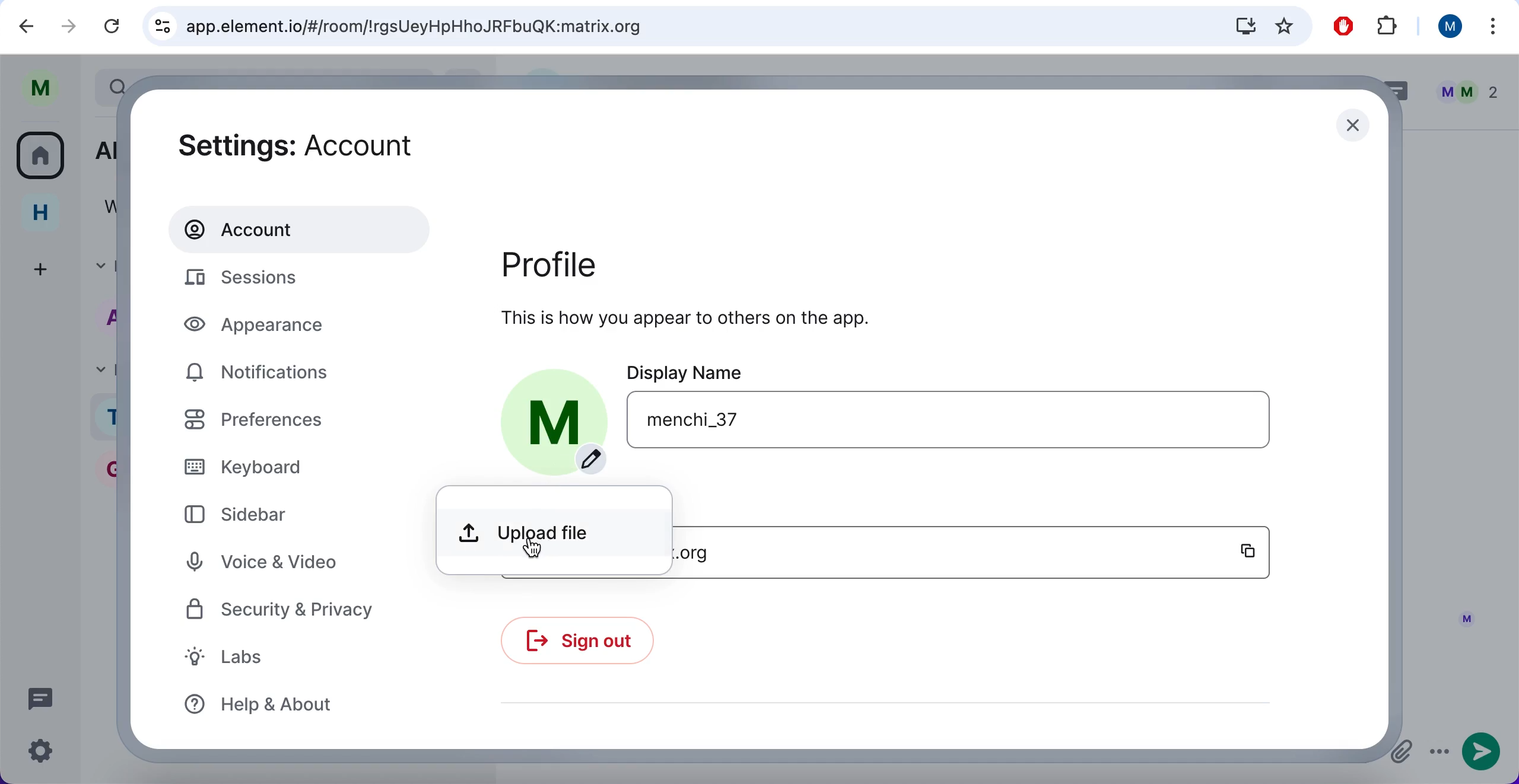  Describe the element at coordinates (281, 375) in the screenshot. I see `notifications` at that location.